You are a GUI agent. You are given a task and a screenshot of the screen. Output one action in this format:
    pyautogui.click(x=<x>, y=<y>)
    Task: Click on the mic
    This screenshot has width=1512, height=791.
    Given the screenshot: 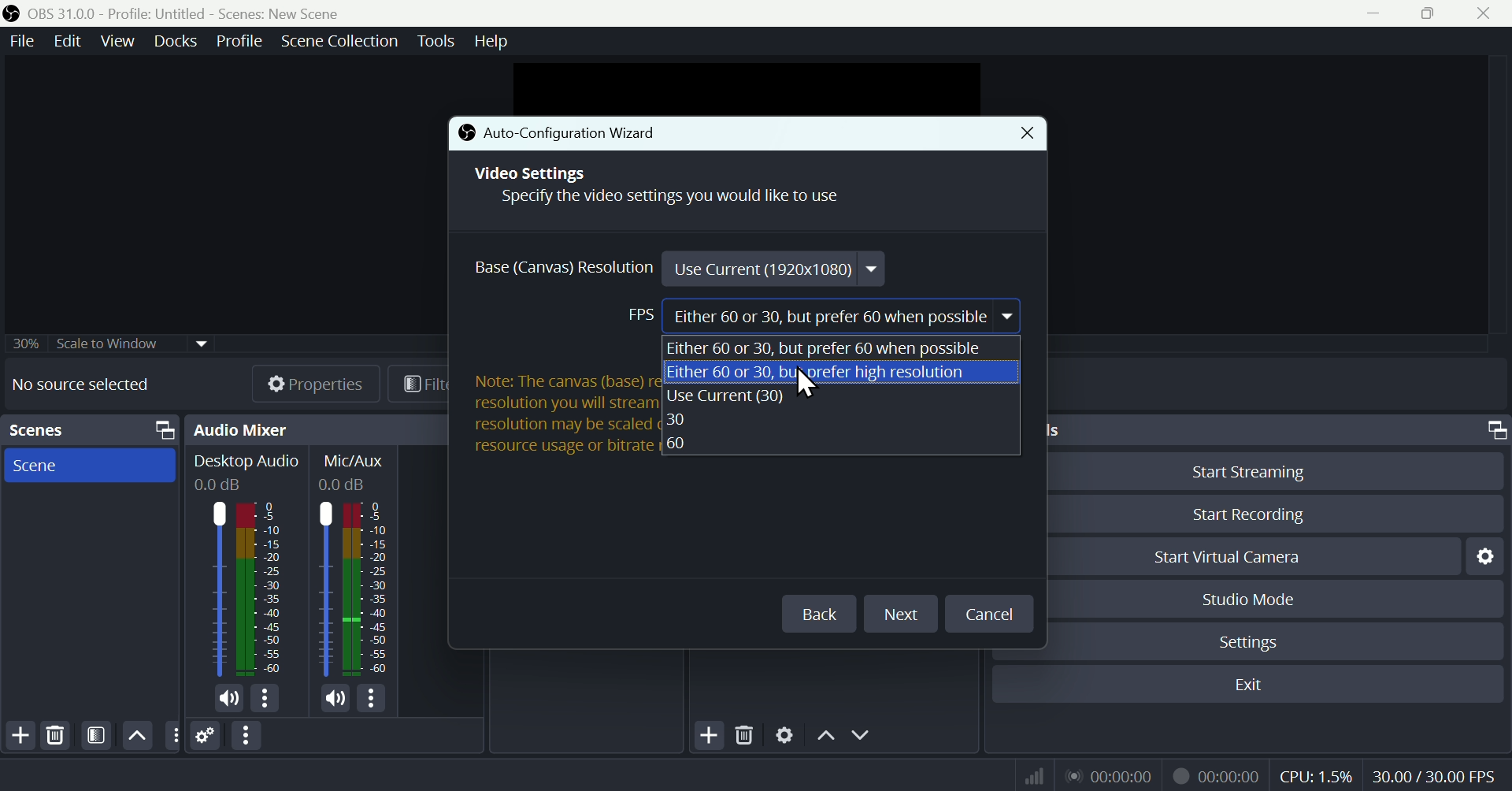 What is the action you would take?
    pyautogui.click(x=336, y=697)
    